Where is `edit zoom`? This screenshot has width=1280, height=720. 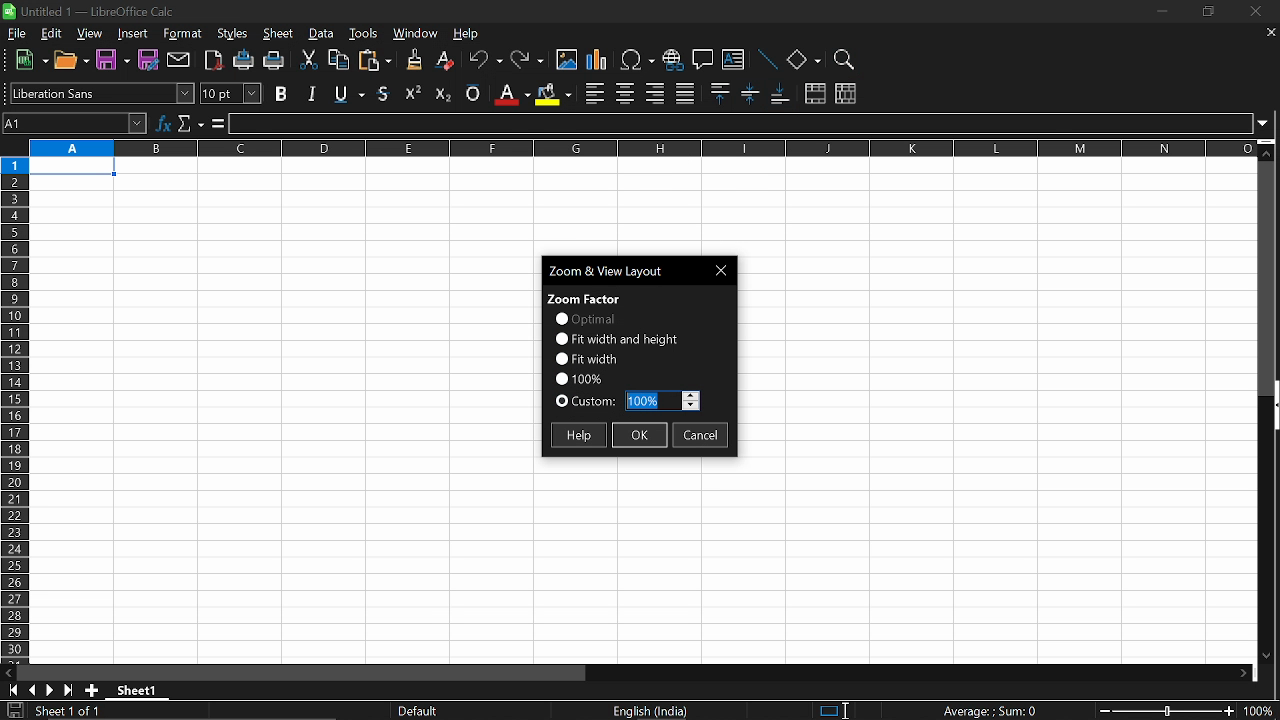 edit zoom is located at coordinates (662, 401).